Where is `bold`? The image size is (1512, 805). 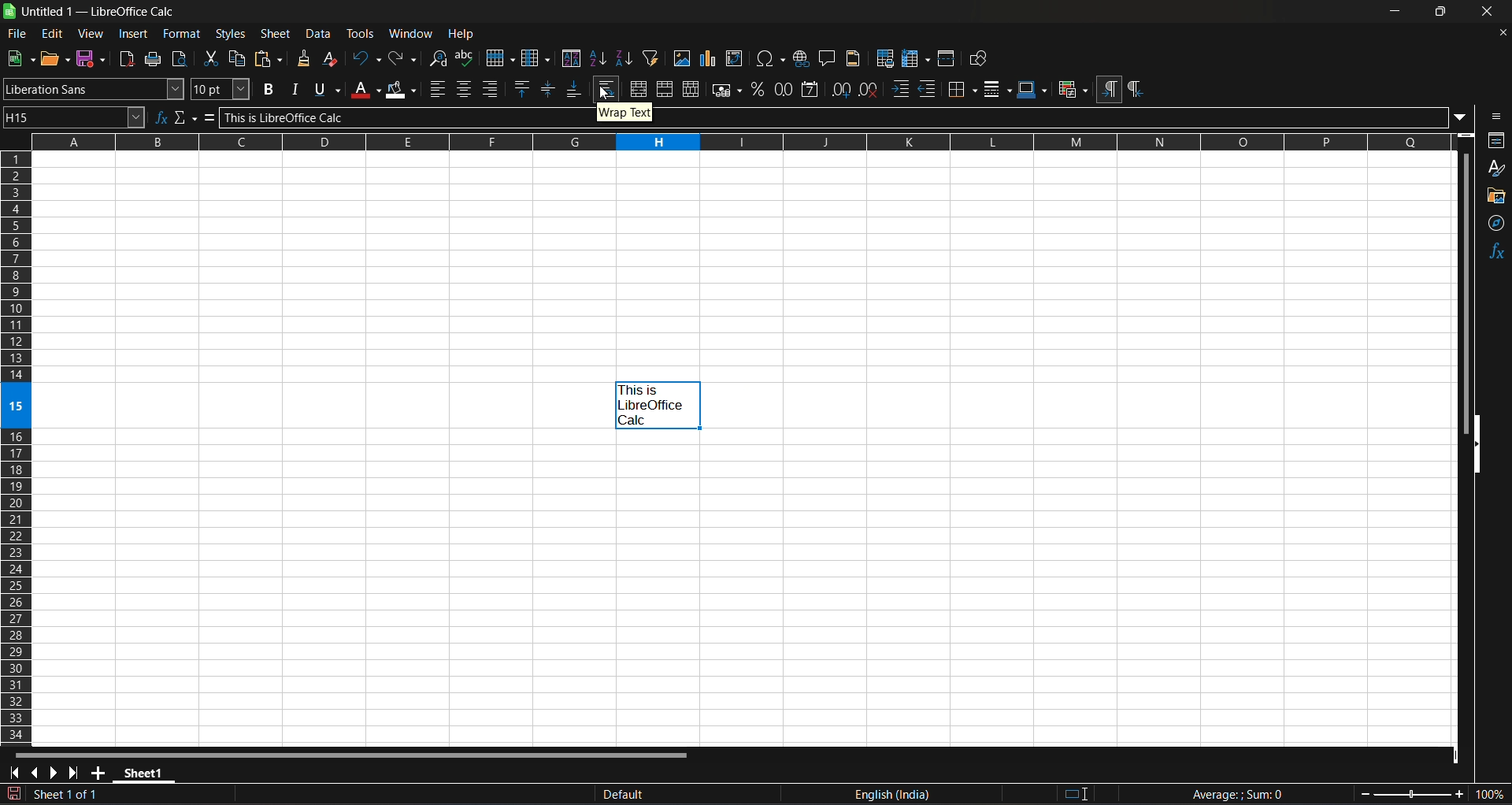 bold is located at coordinates (269, 88).